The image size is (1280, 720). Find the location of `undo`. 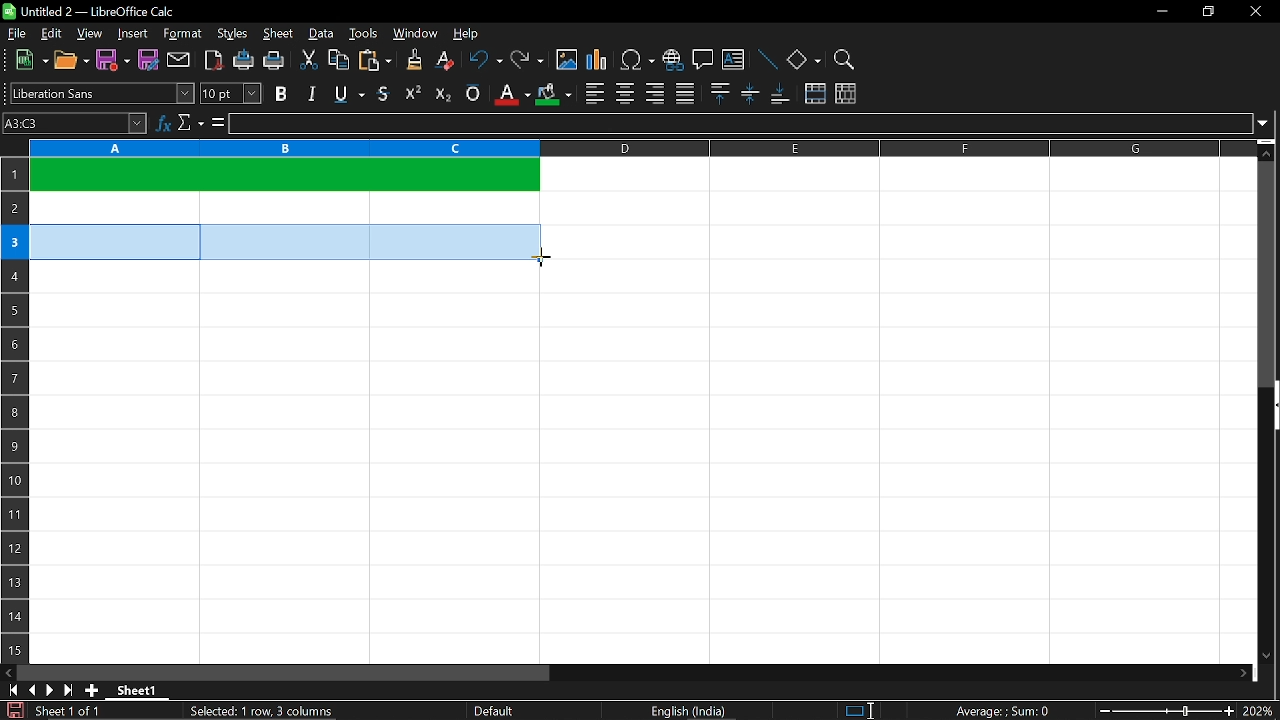

undo is located at coordinates (484, 61).